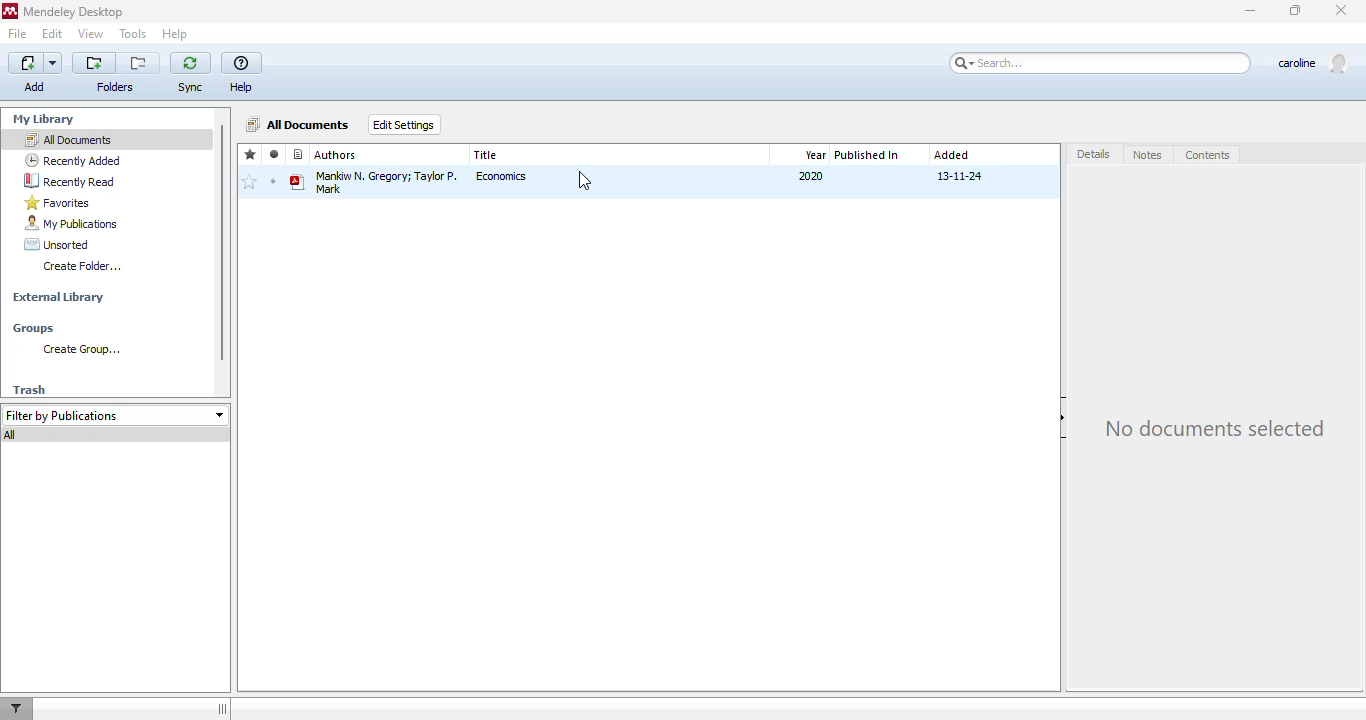 This screenshot has height=720, width=1366. I want to click on cursor, so click(584, 181).